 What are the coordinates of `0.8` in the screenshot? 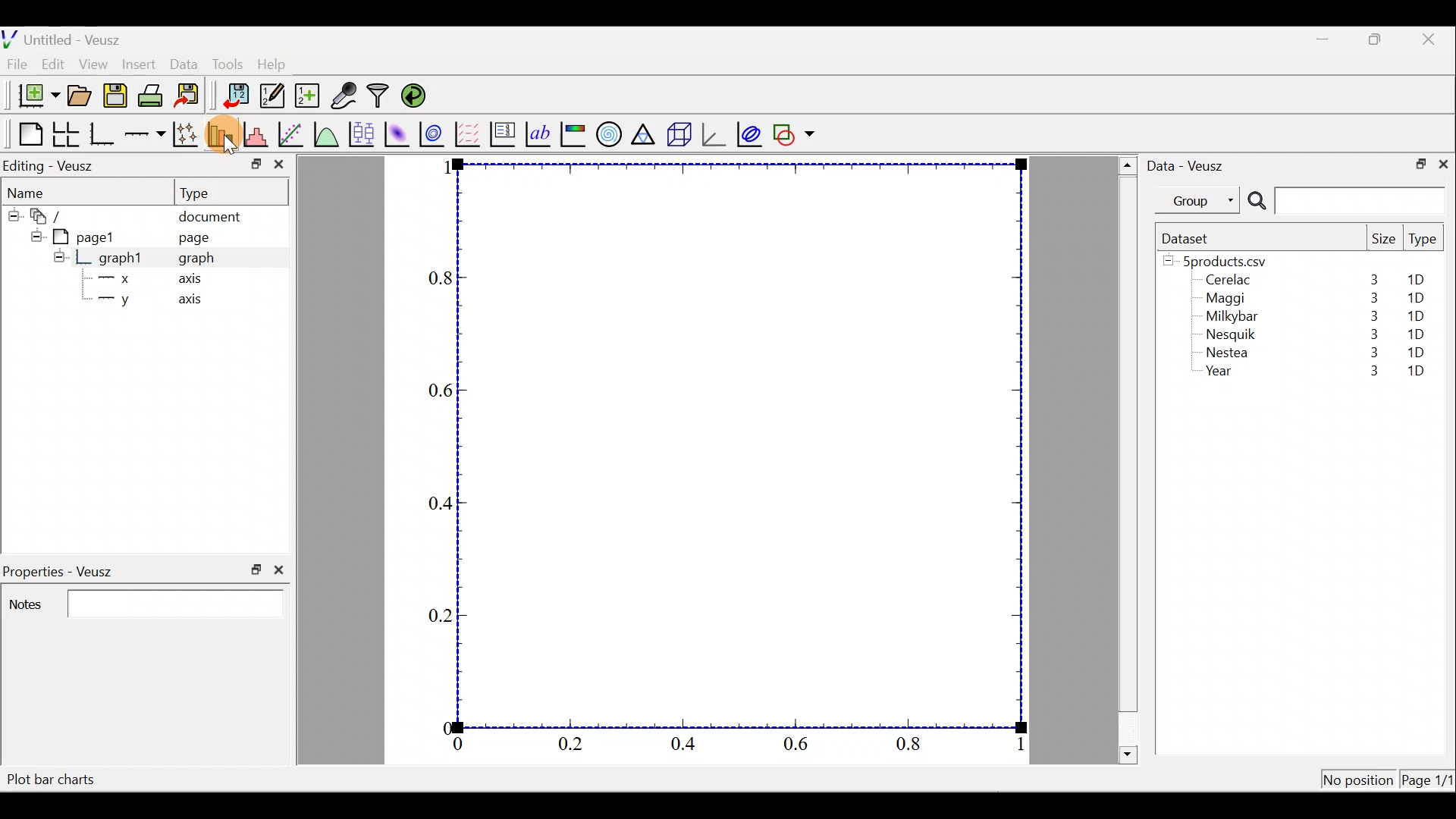 It's located at (912, 745).